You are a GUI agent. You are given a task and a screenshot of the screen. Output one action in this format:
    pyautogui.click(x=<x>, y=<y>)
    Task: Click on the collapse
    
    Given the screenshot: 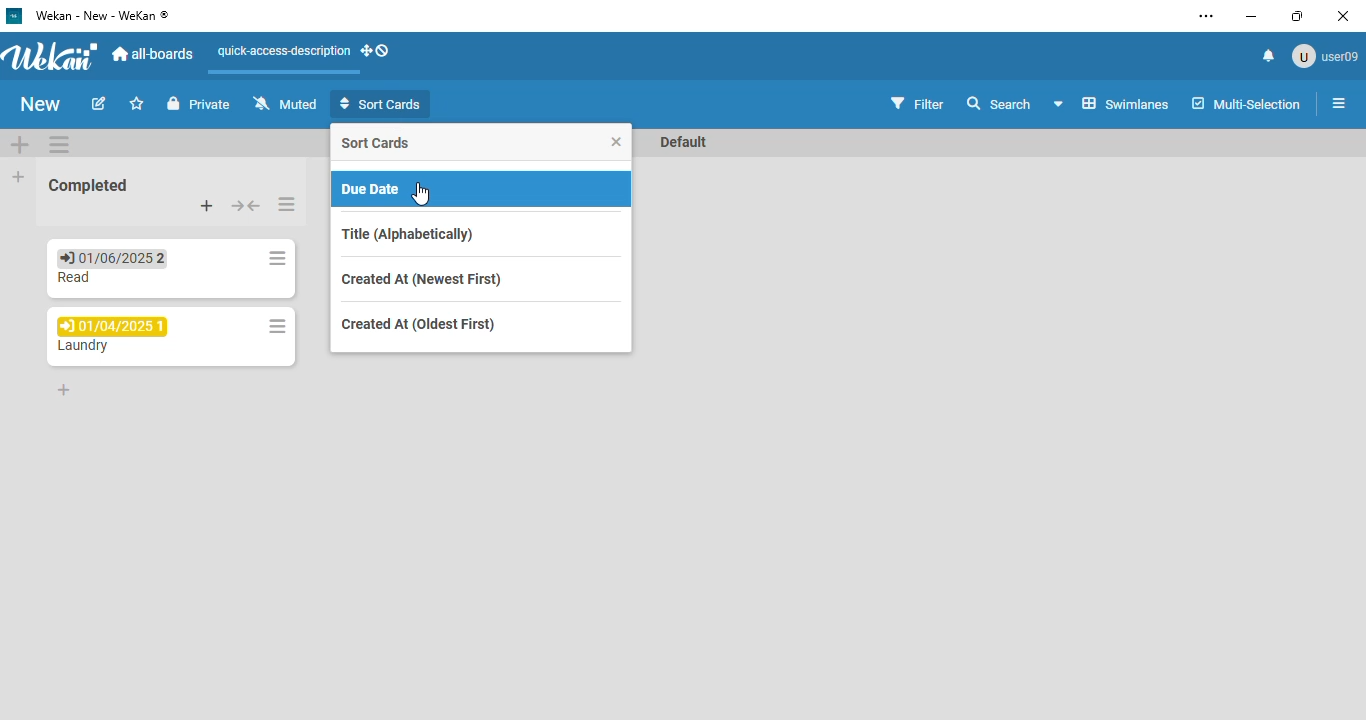 What is the action you would take?
    pyautogui.click(x=245, y=206)
    